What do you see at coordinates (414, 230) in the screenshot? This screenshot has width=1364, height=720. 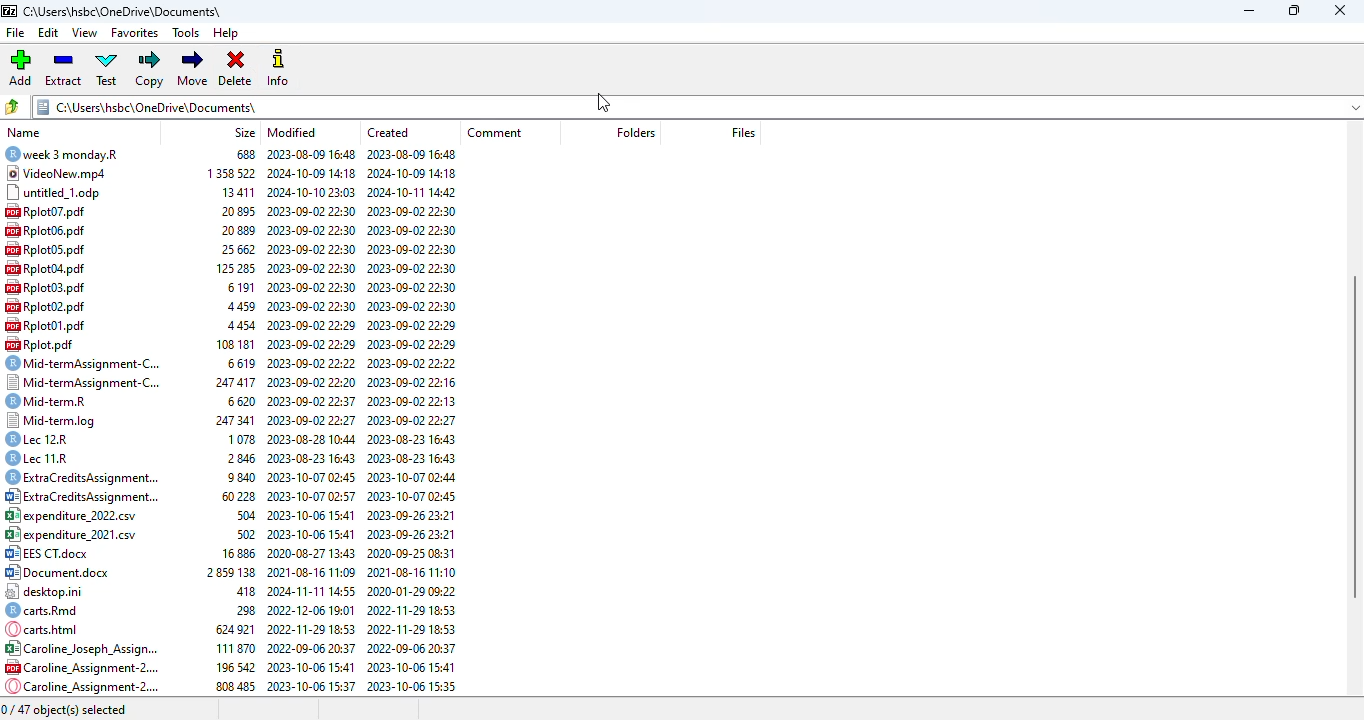 I see `2023-09-02 22:30` at bounding box center [414, 230].